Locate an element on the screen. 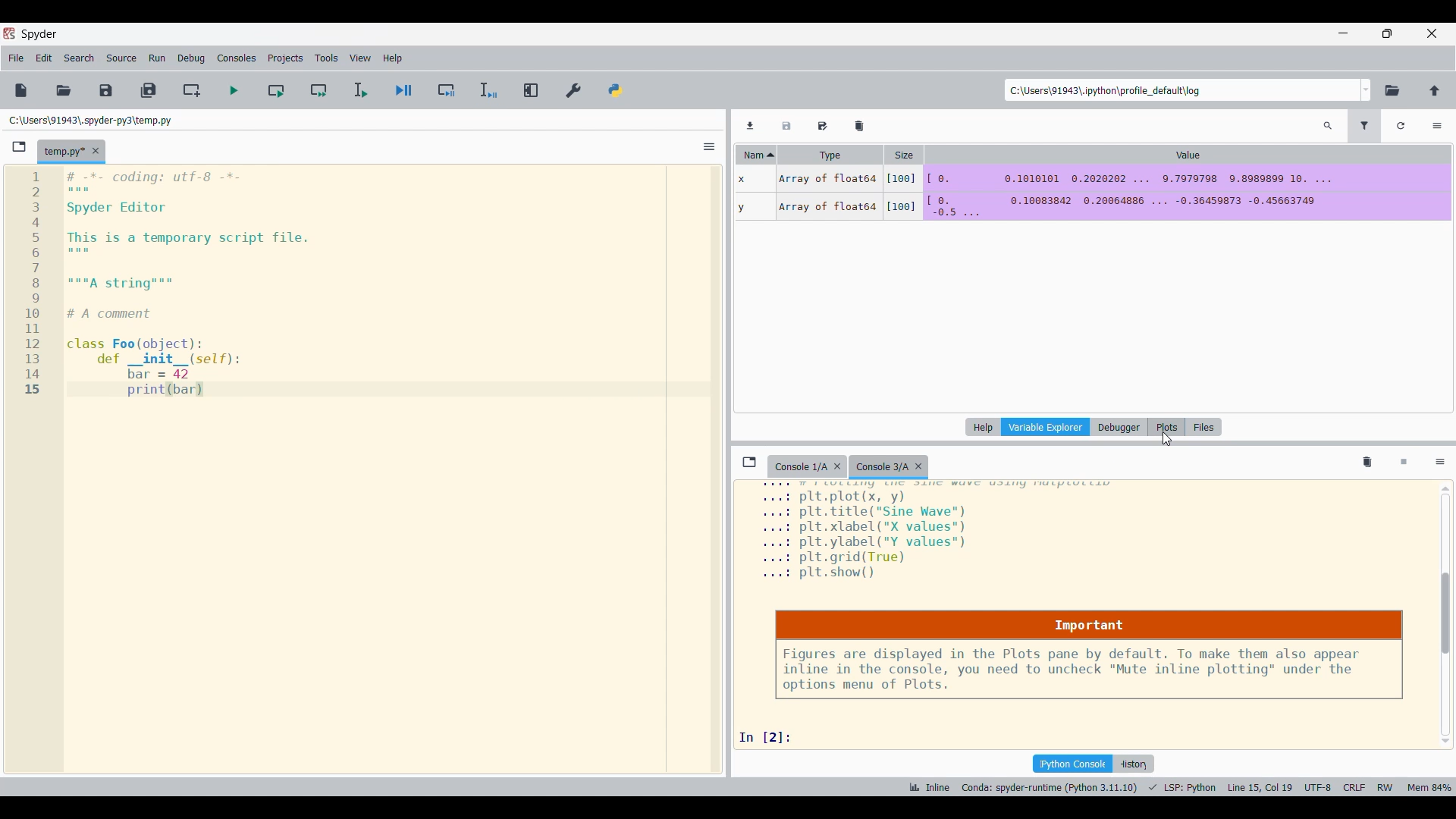 Image resolution: width=1456 pixels, height=819 pixels. Size column is located at coordinates (904, 155).